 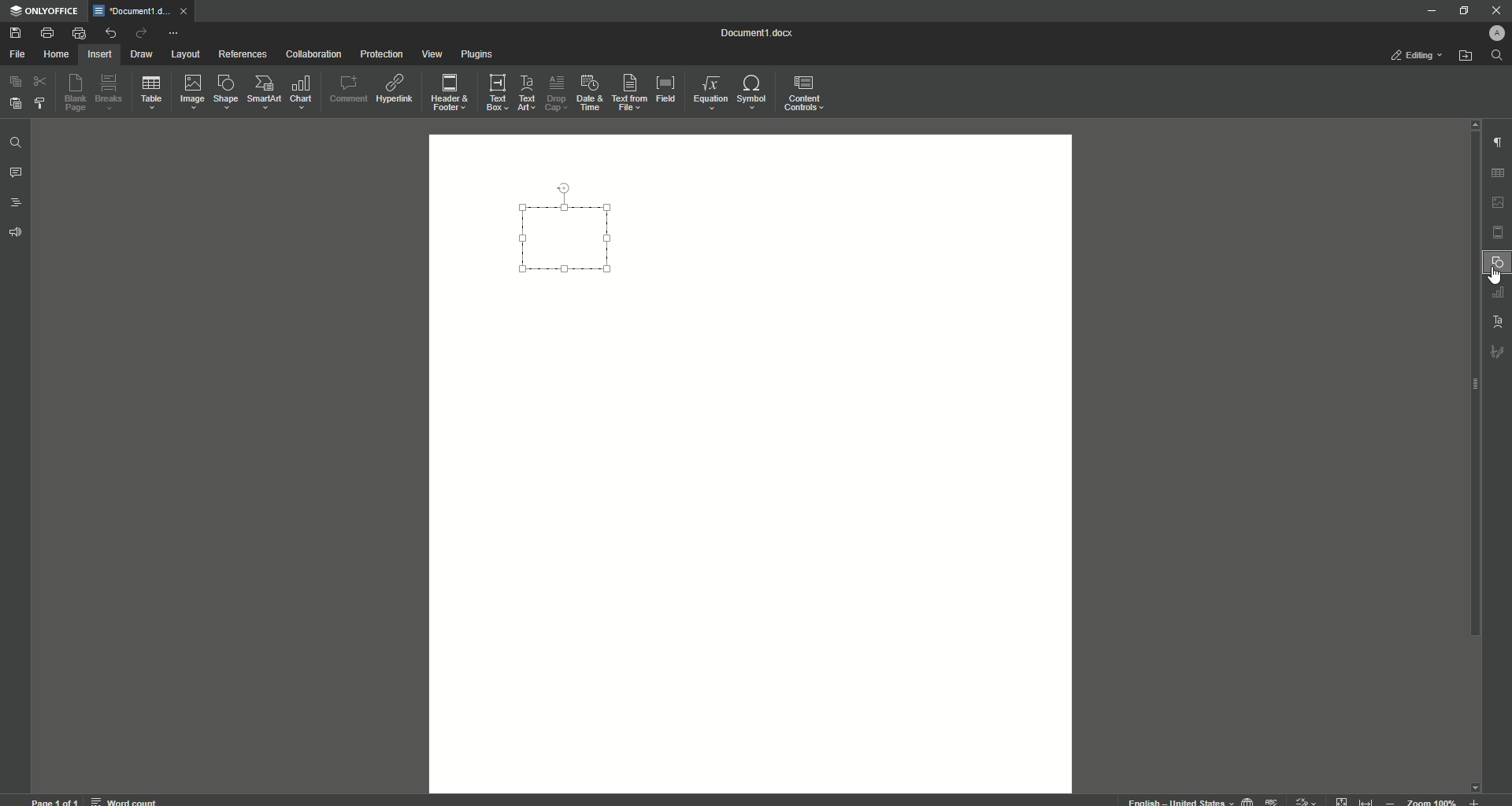 I want to click on View, so click(x=431, y=55).